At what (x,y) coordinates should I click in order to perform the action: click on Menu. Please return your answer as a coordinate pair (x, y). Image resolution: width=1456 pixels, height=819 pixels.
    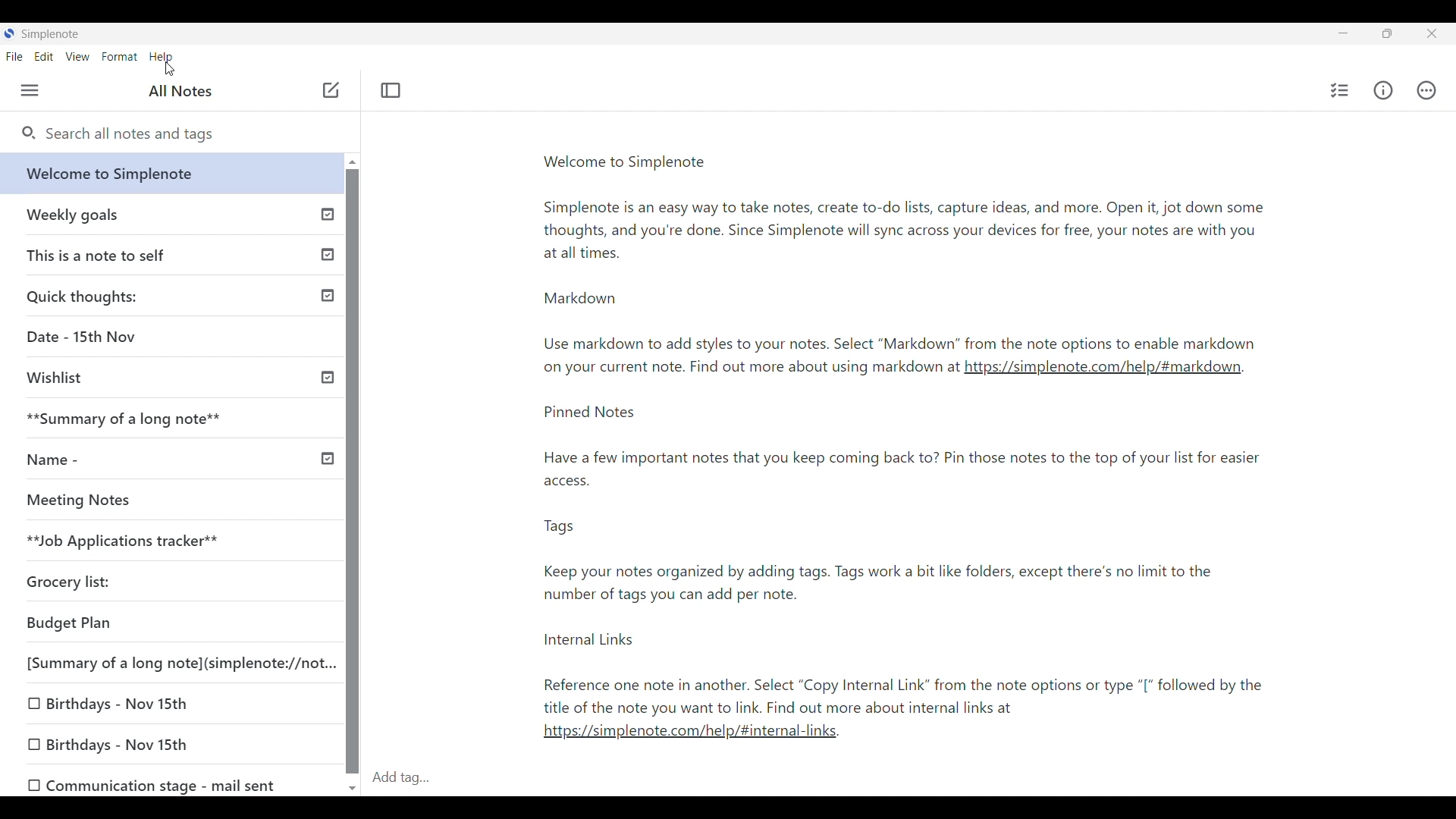
    Looking at the image, I should click on (30, 91).